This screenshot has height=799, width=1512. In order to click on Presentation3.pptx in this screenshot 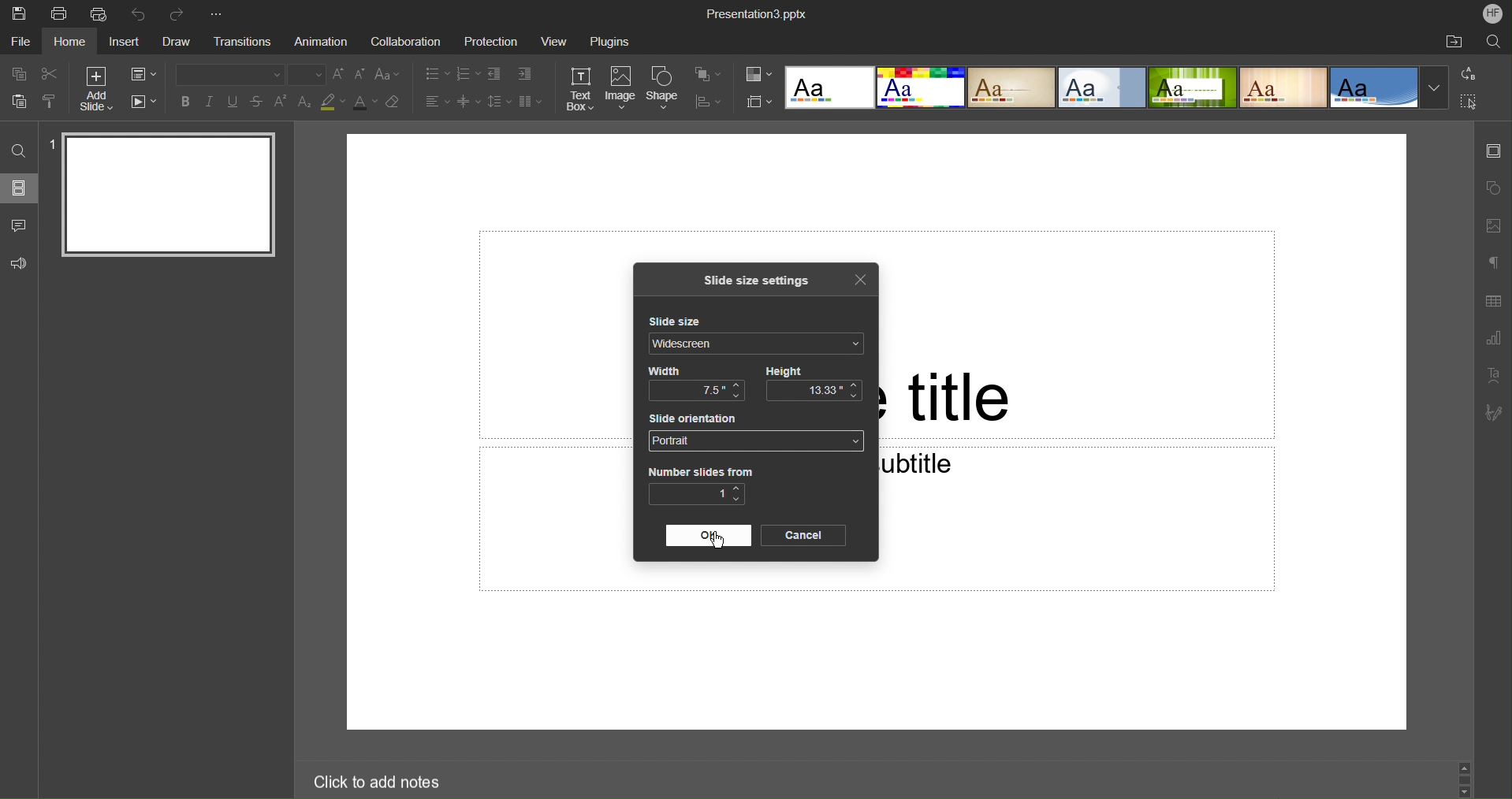, I will do `click(758, 13)`.